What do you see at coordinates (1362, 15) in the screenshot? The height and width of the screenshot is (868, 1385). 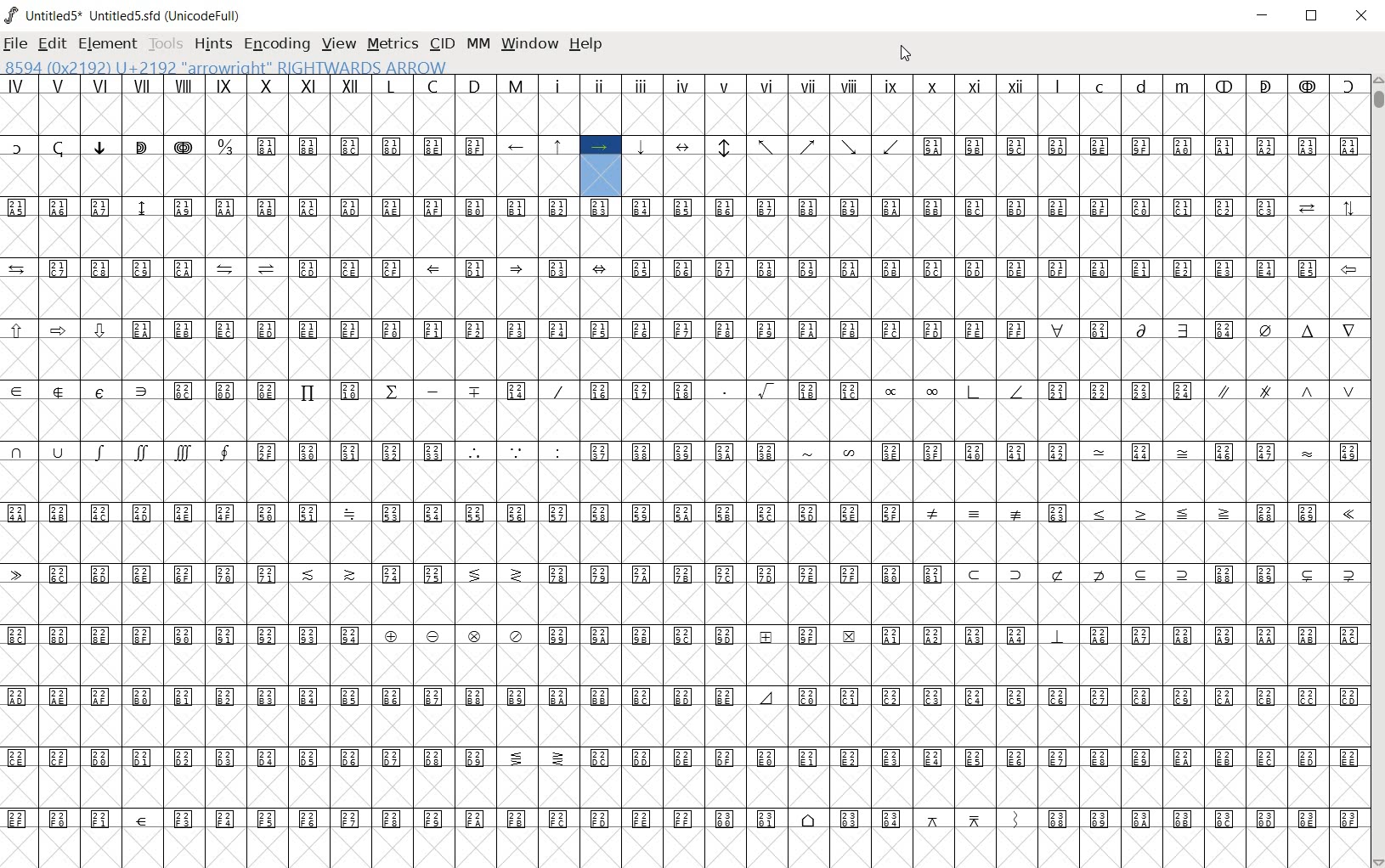 I see `CLOSE` at bounding box center [1362, 15].